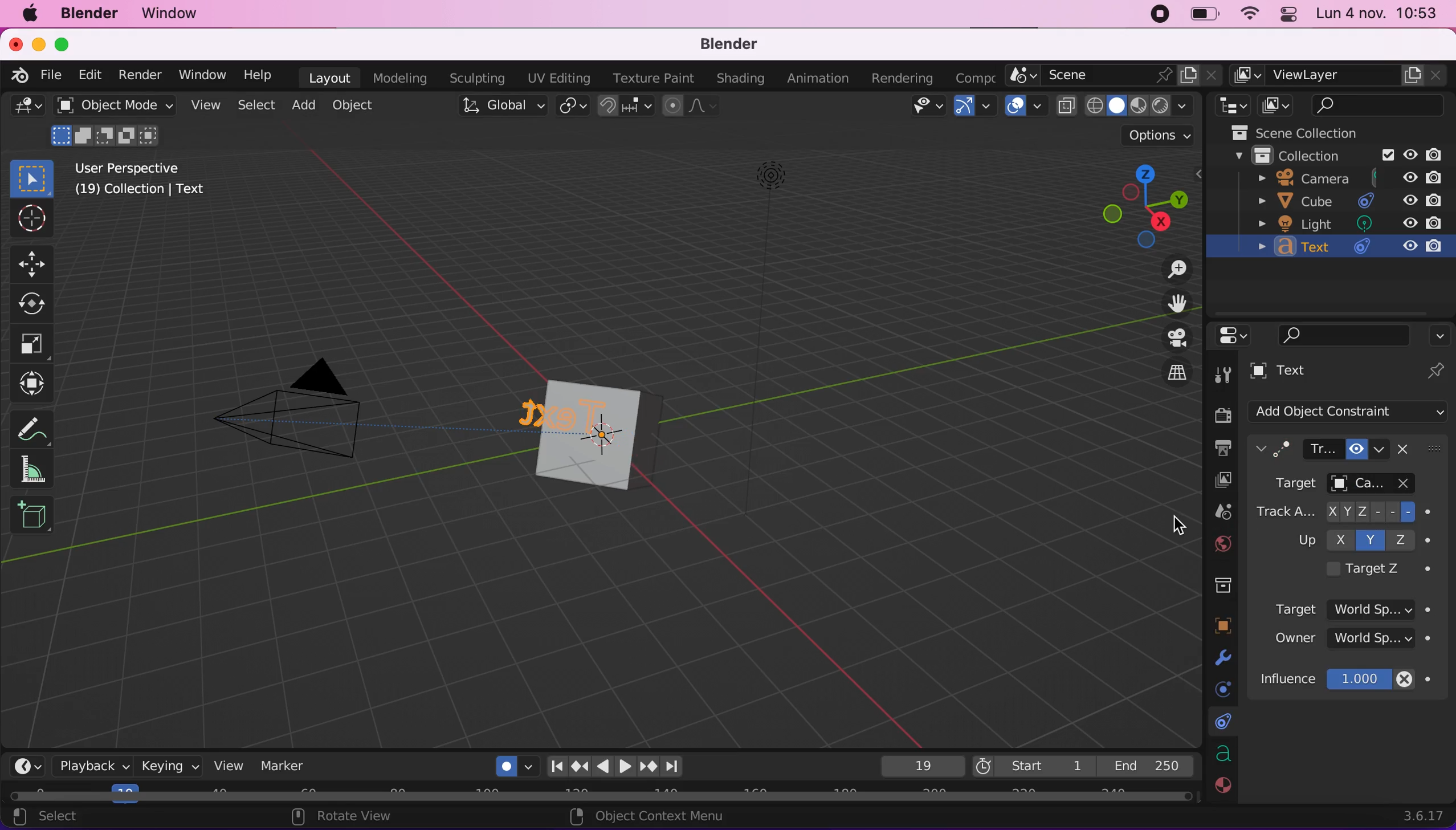  Describe the element at coordinates (259, 106) in the screenshot. I see `select` at that location.